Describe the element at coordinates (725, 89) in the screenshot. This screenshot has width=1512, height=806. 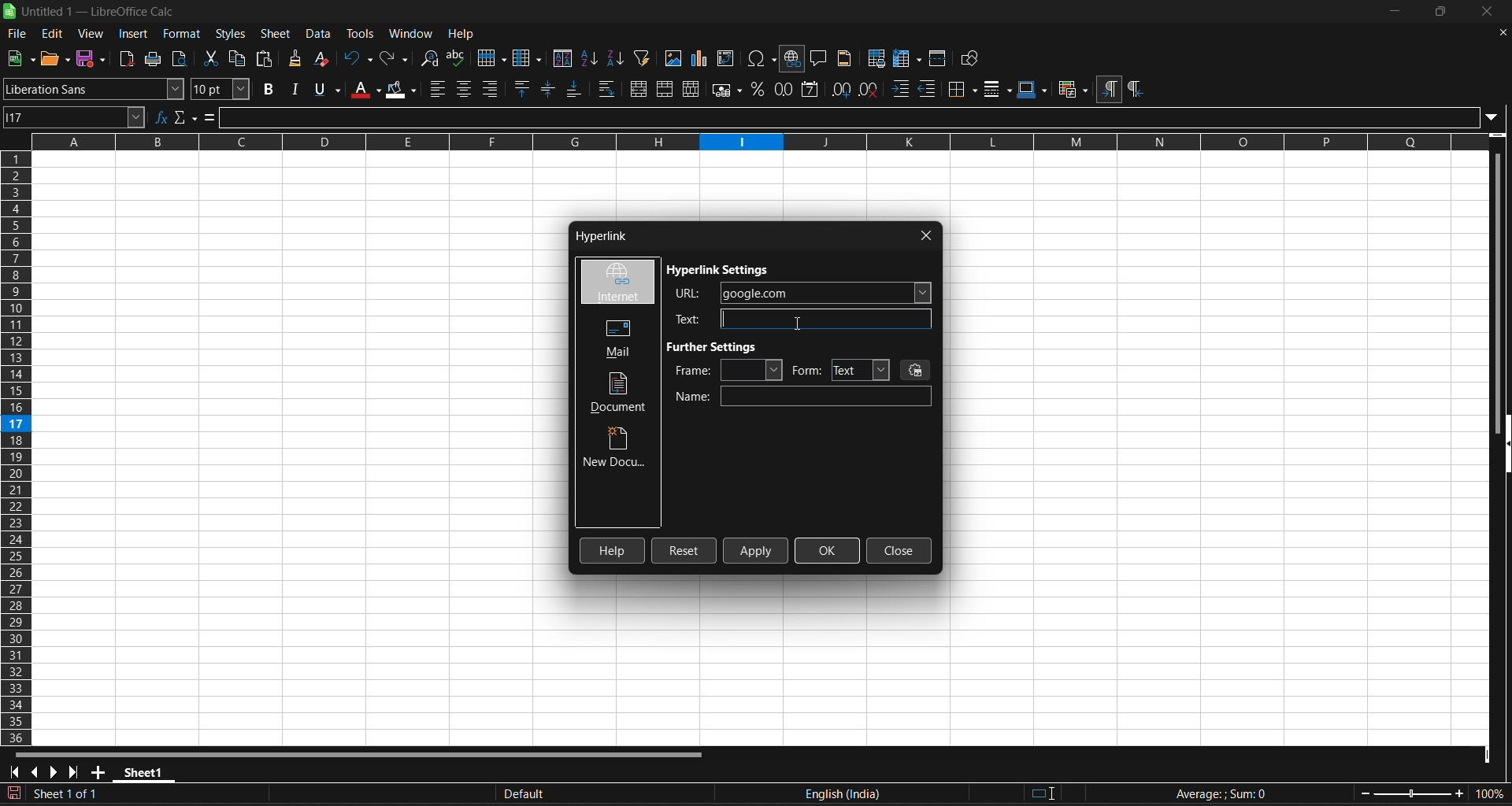
I see `format as currency` at that location.